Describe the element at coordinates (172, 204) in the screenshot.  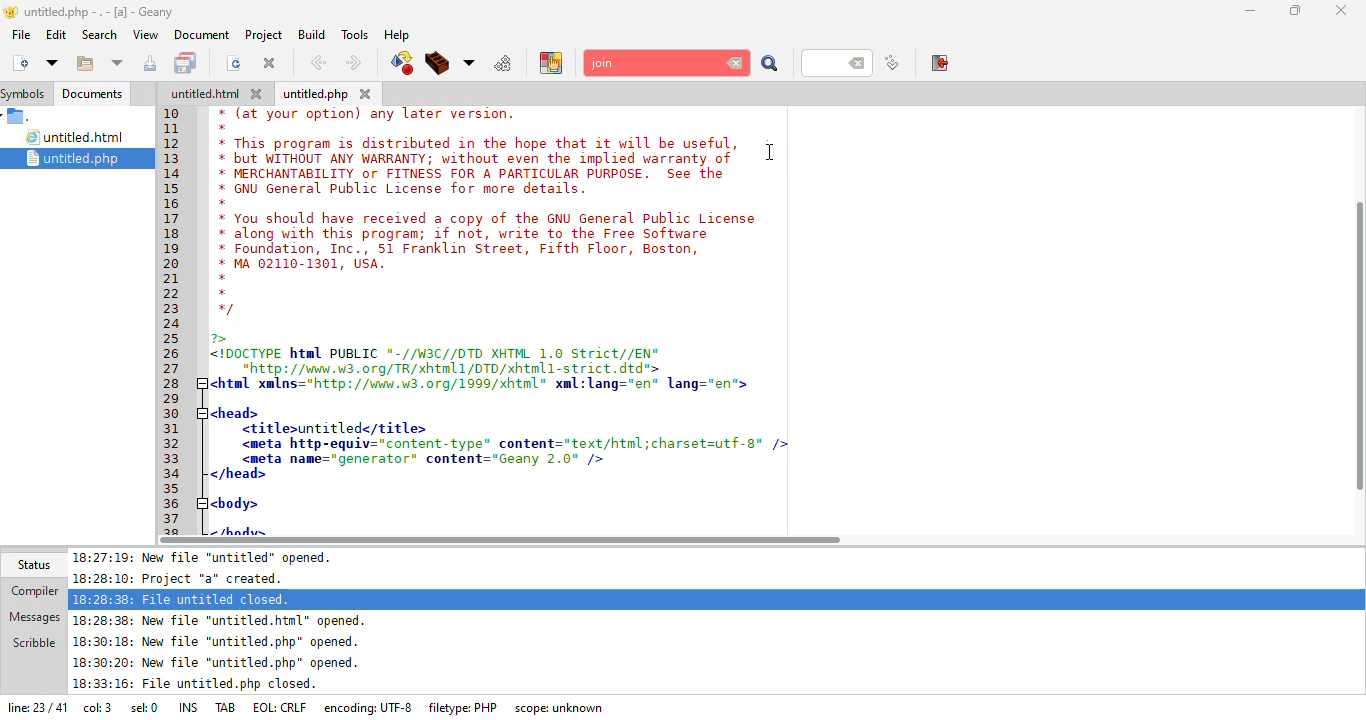
I see `16` at that location.